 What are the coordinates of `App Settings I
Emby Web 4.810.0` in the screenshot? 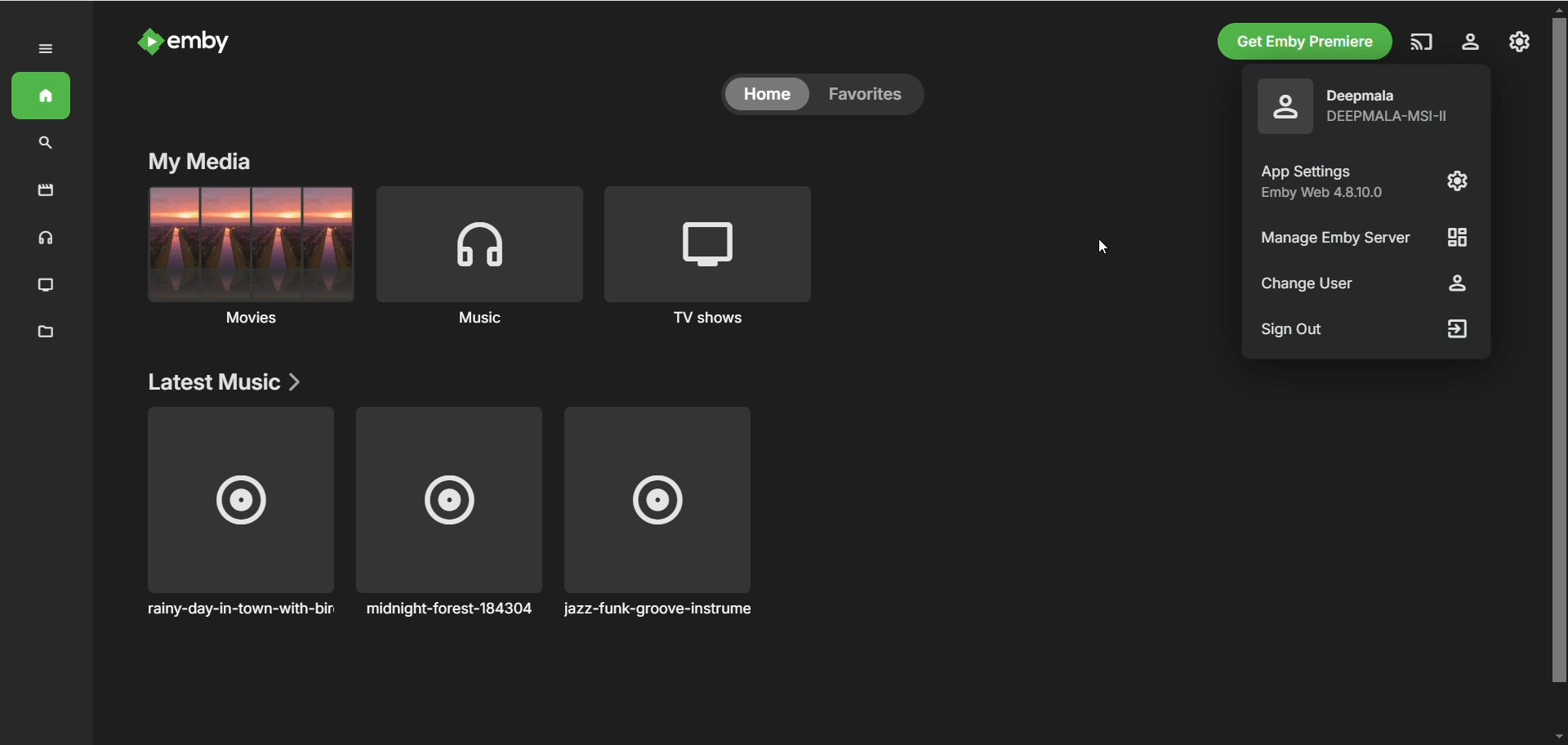 It's located at (1332, 184).